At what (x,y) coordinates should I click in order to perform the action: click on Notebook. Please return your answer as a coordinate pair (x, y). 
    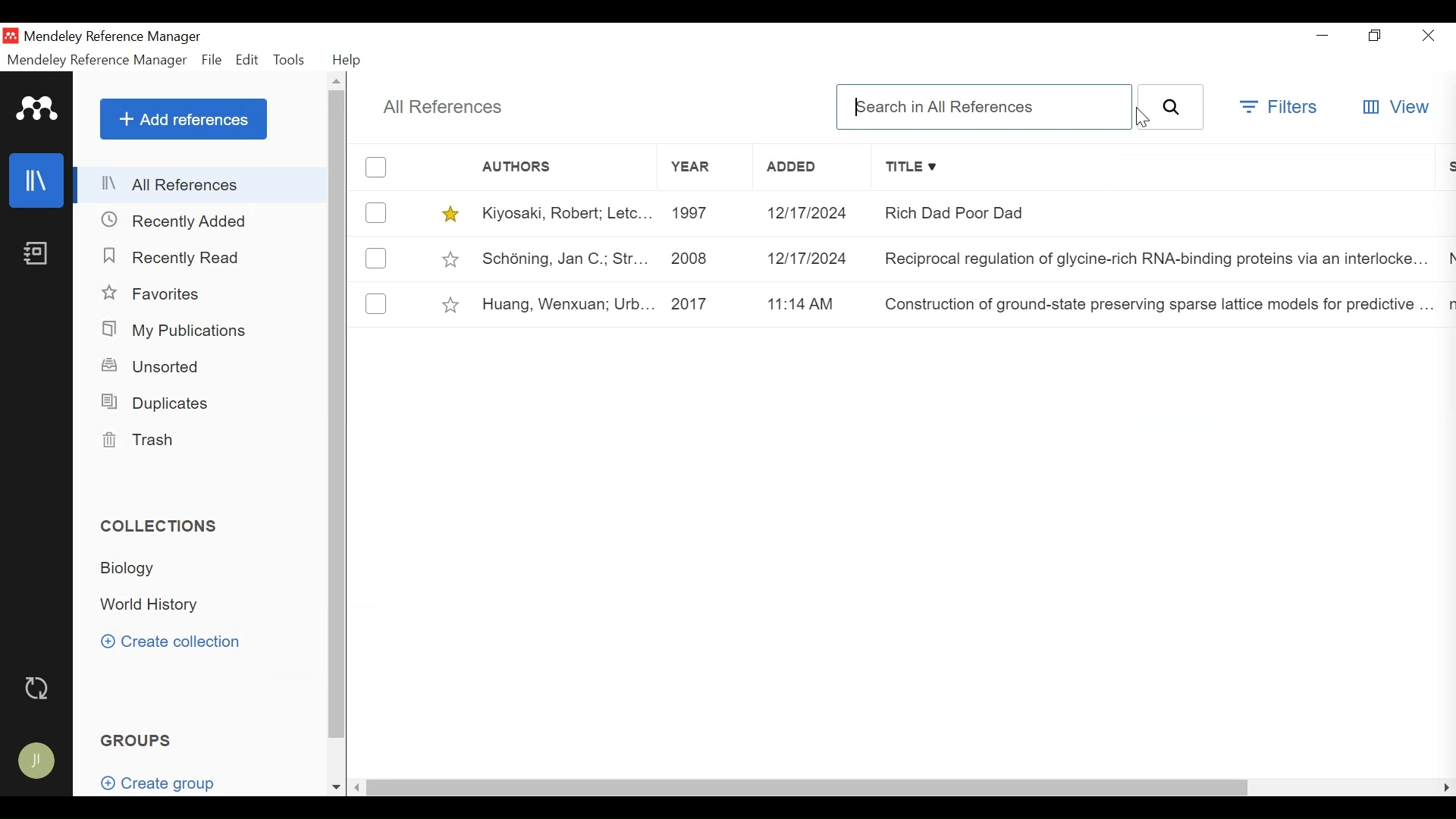
    Looking at the image, I should click on (38, 252).